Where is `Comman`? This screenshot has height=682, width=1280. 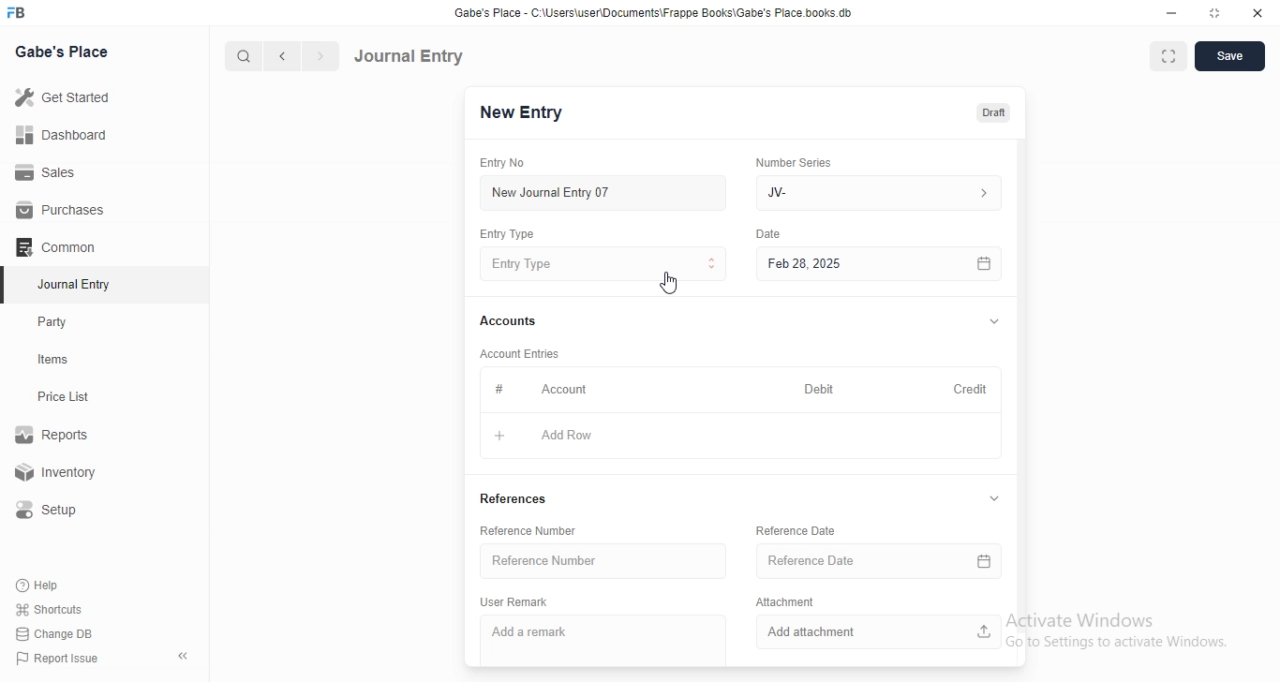
Comman is located at coordinates (49, 247).